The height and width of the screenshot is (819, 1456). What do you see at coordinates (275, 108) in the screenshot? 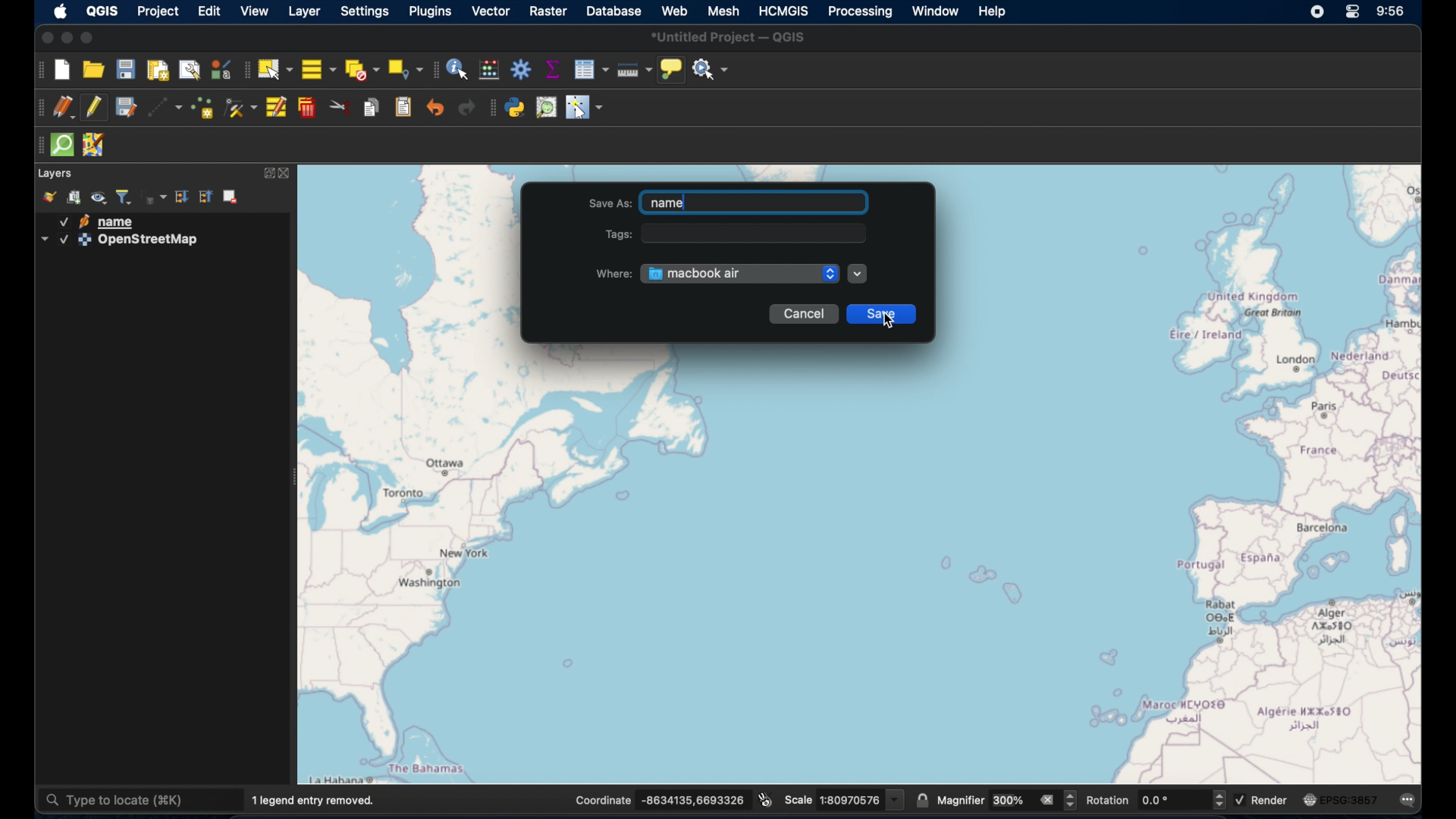
I see `modify attributes ` at bounding box center [275, 108].